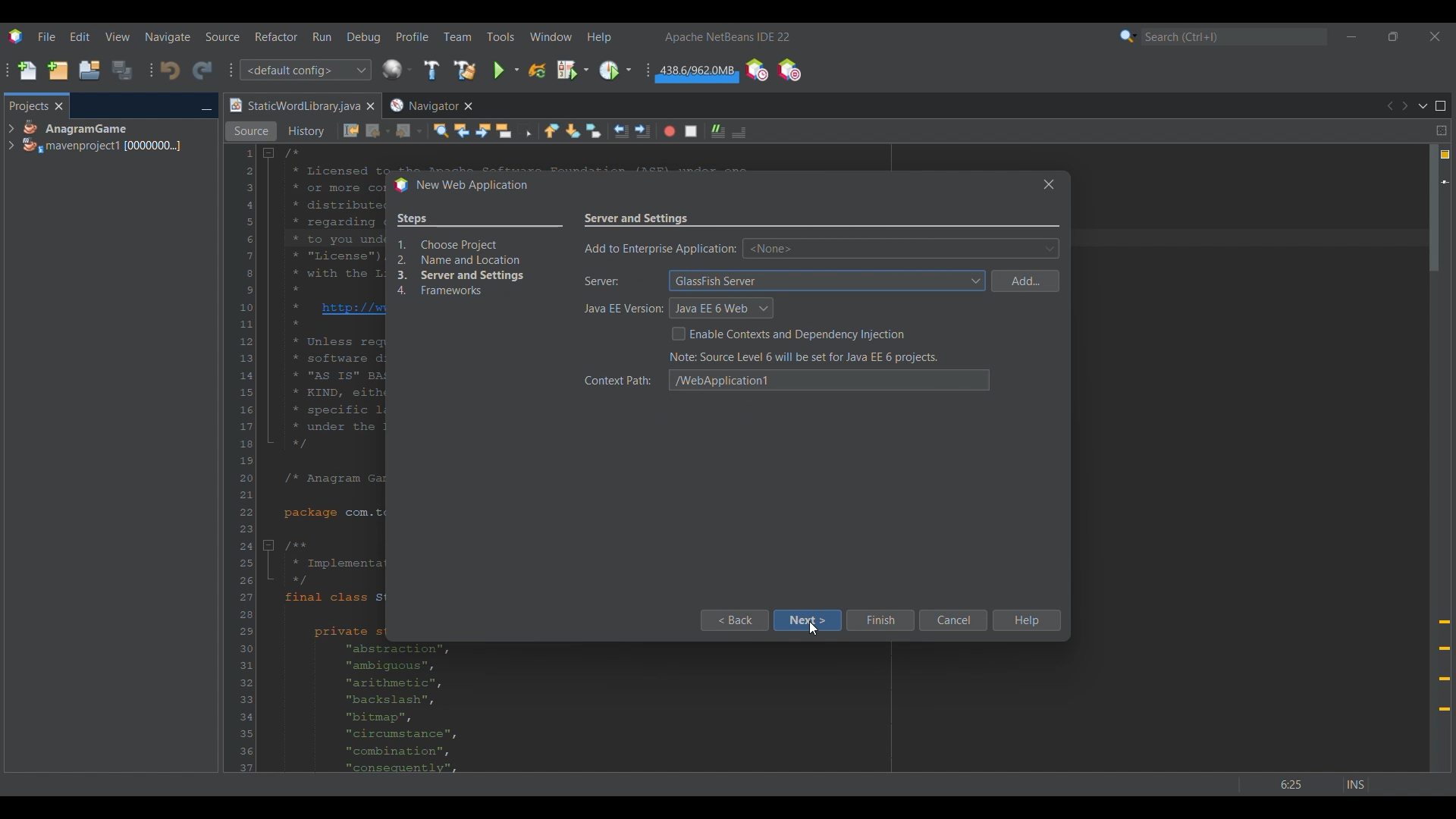 Image resolution: width=1456 pixels, height=819 pixels. Describe the element at coordinates (103, 136) in the screenshot. I see `Project options` at that location.